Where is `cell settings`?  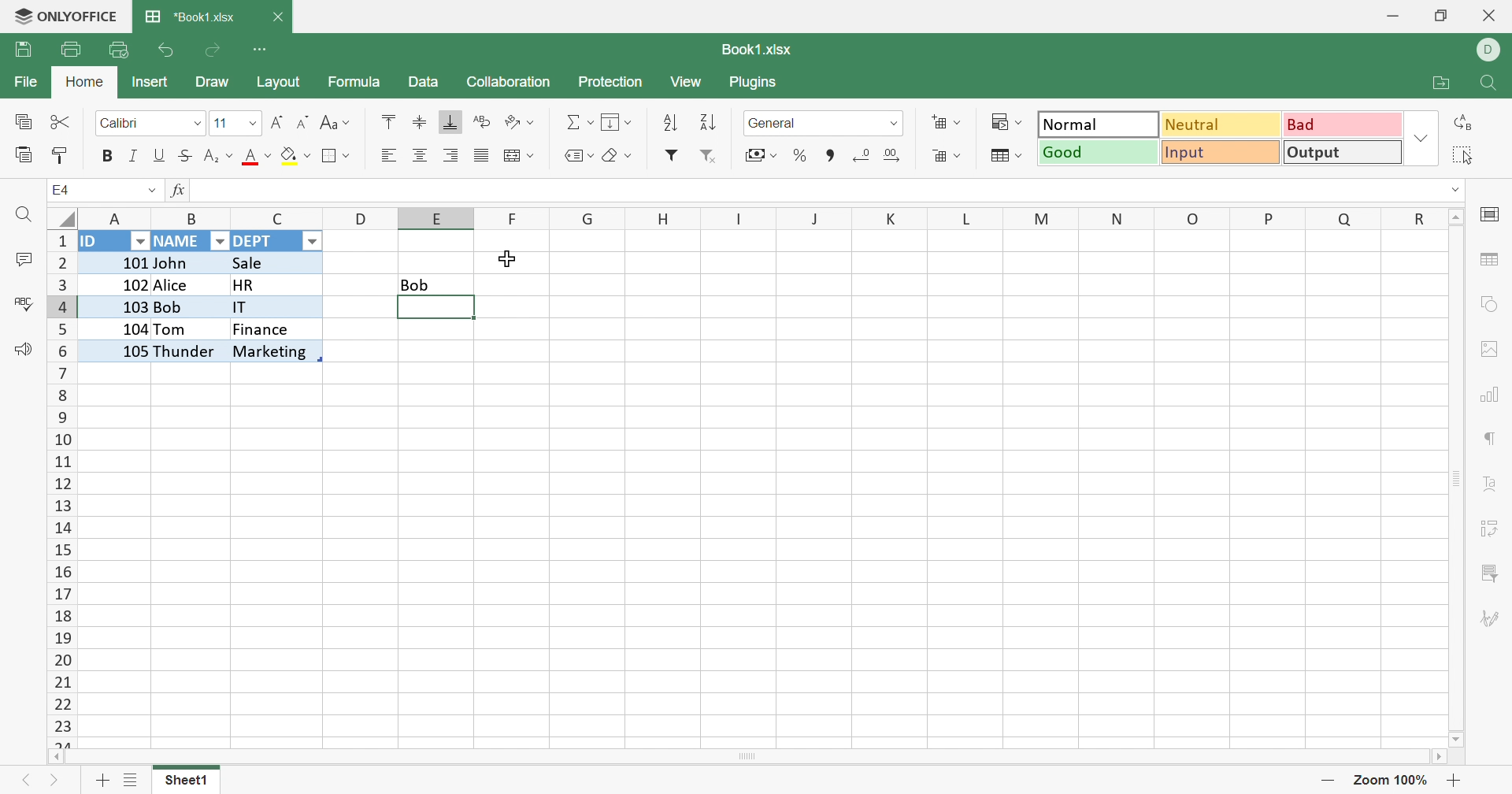
cell settings is located at coordinates (1494, 216).